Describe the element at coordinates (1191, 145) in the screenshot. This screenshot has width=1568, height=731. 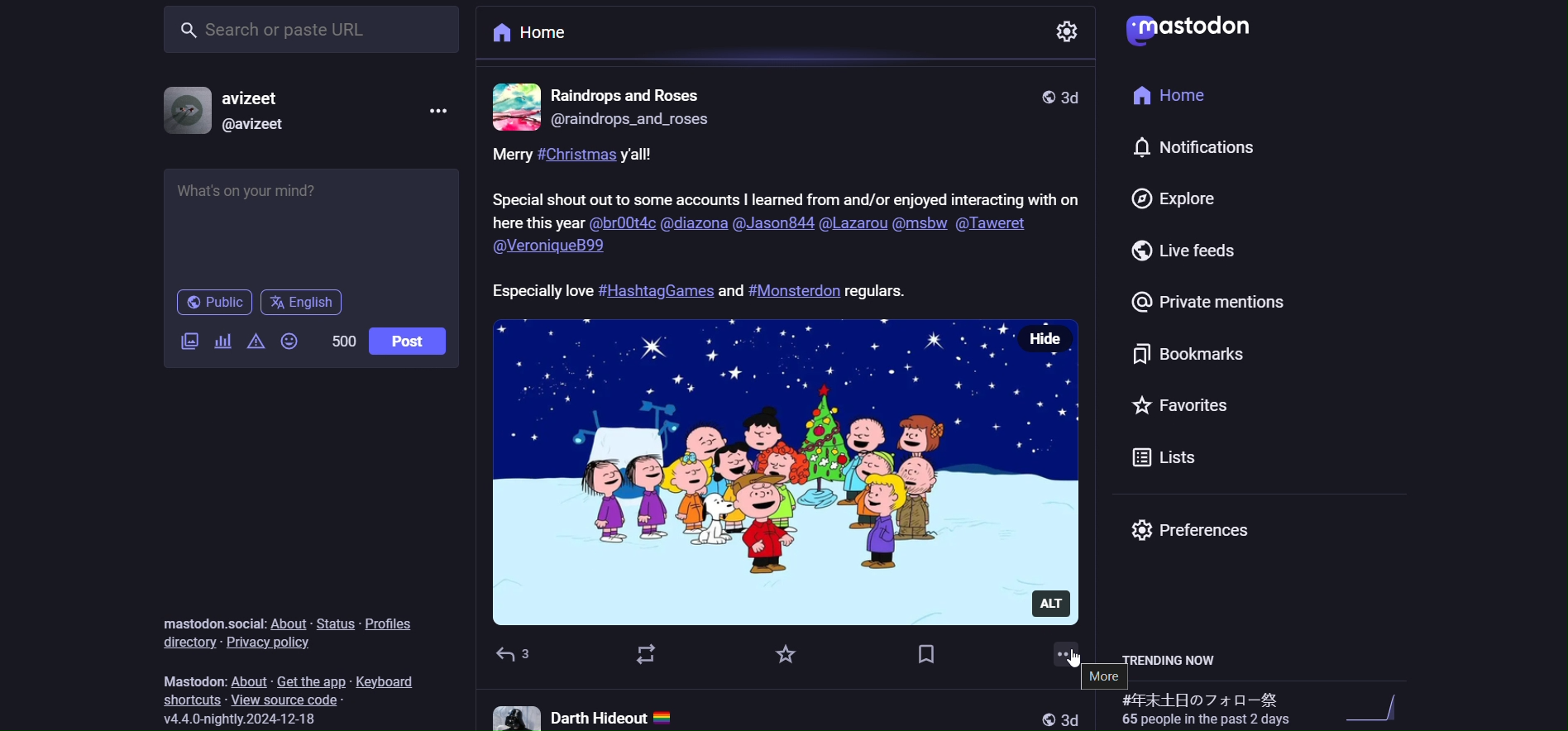
I see `notification` at that location.